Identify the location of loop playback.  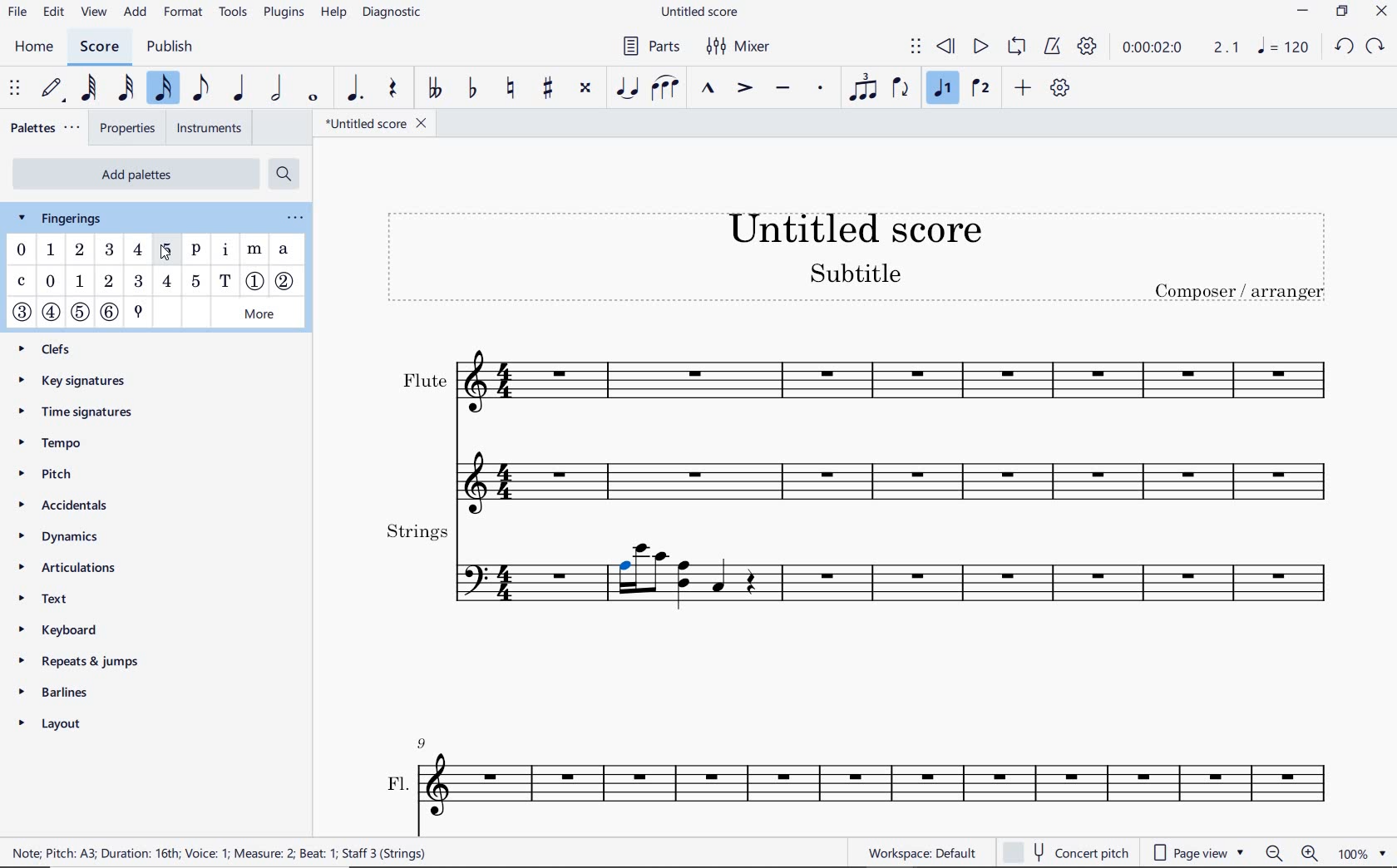
(1016, 47).